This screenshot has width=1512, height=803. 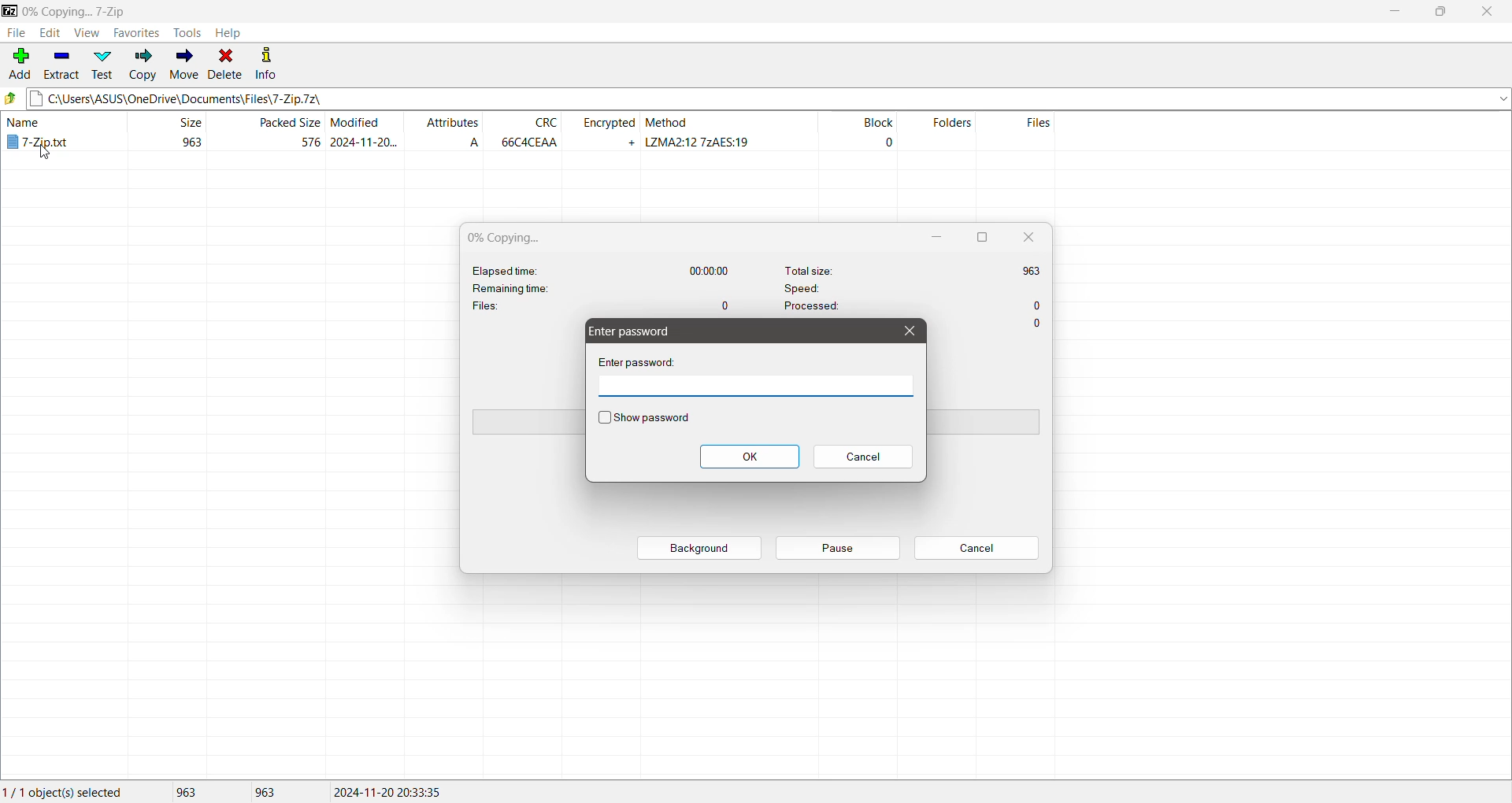 What do you see at coordinates (908, 331) in the screenshot?
I see `Close` at bounding box center [908, 331].